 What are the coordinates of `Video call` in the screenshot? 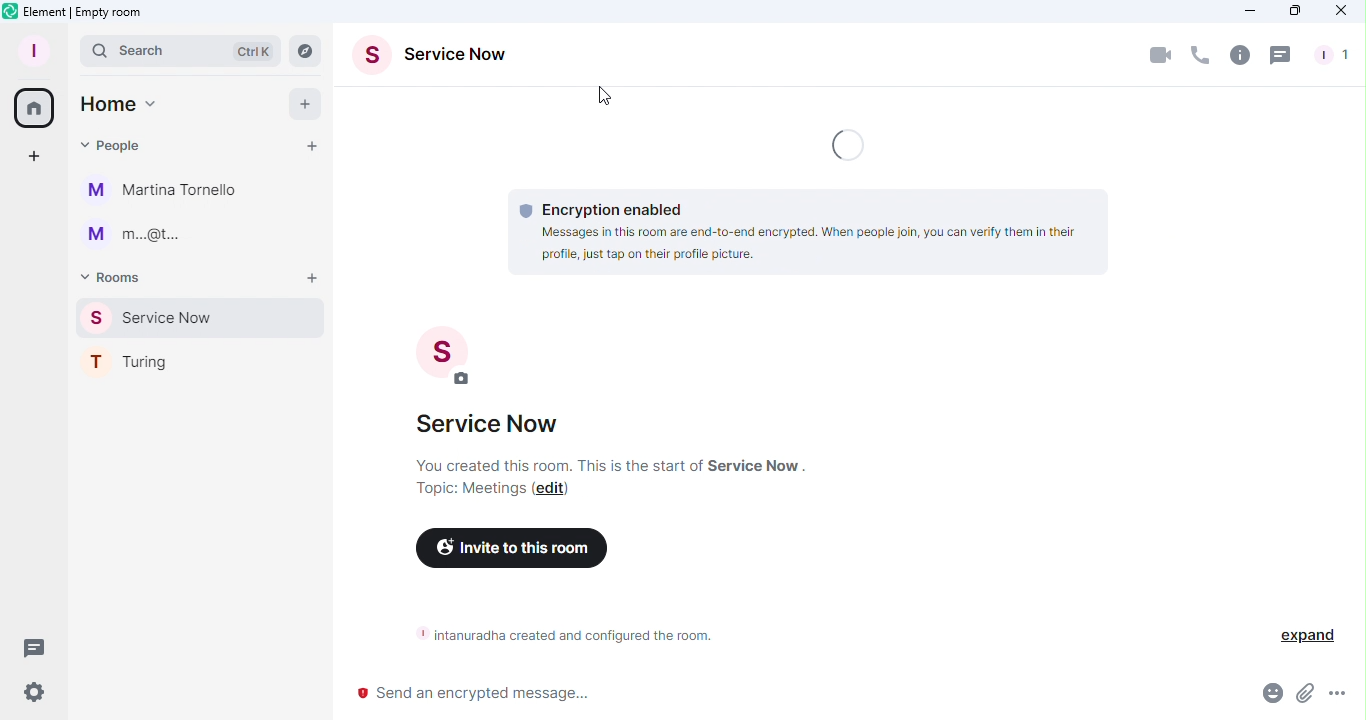 It's located at (1162, 54).